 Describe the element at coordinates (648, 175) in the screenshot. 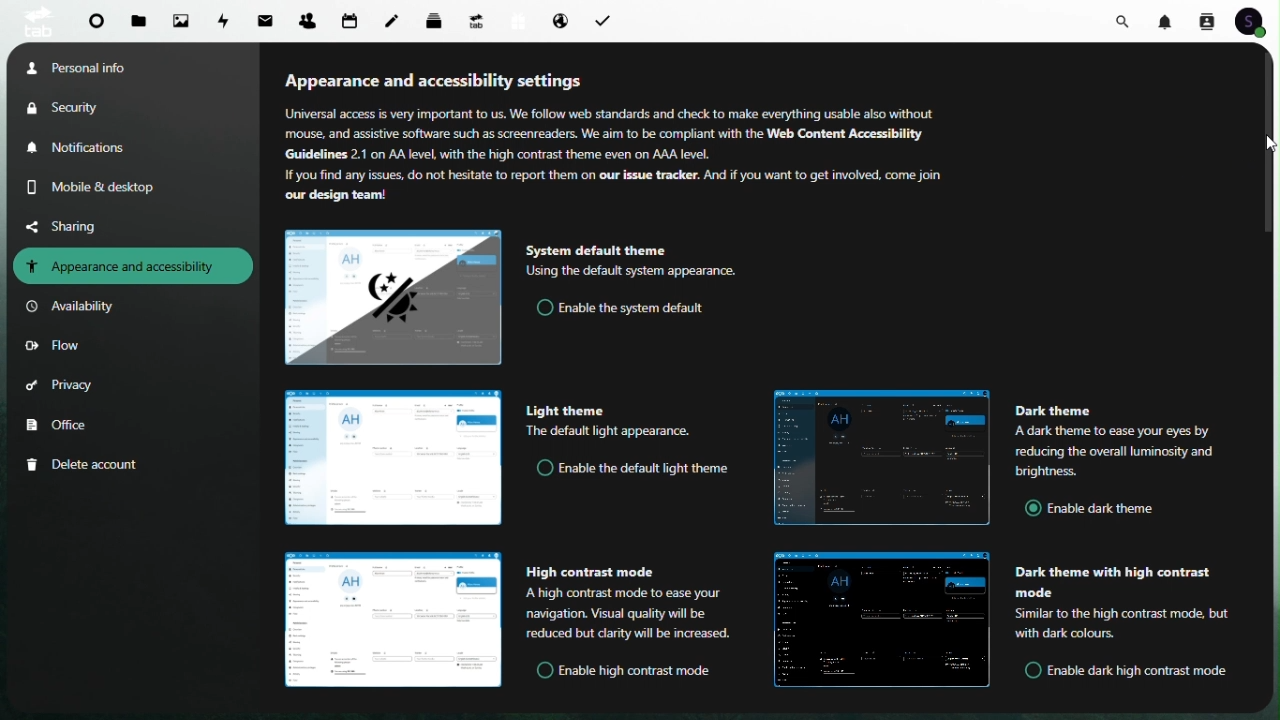

I see `Out issue tracker` at that location.